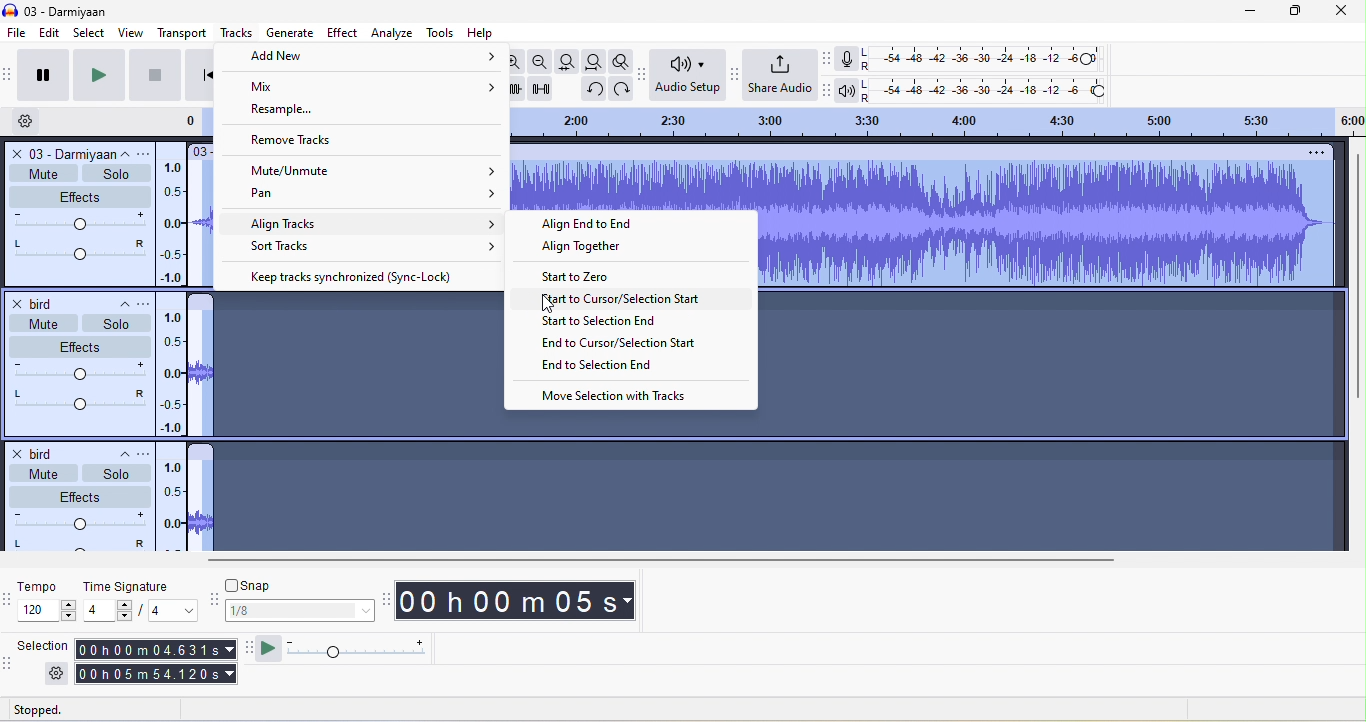  Describe the element at coordinates (38, 472) in the screenshot. I see `mute` at that location.